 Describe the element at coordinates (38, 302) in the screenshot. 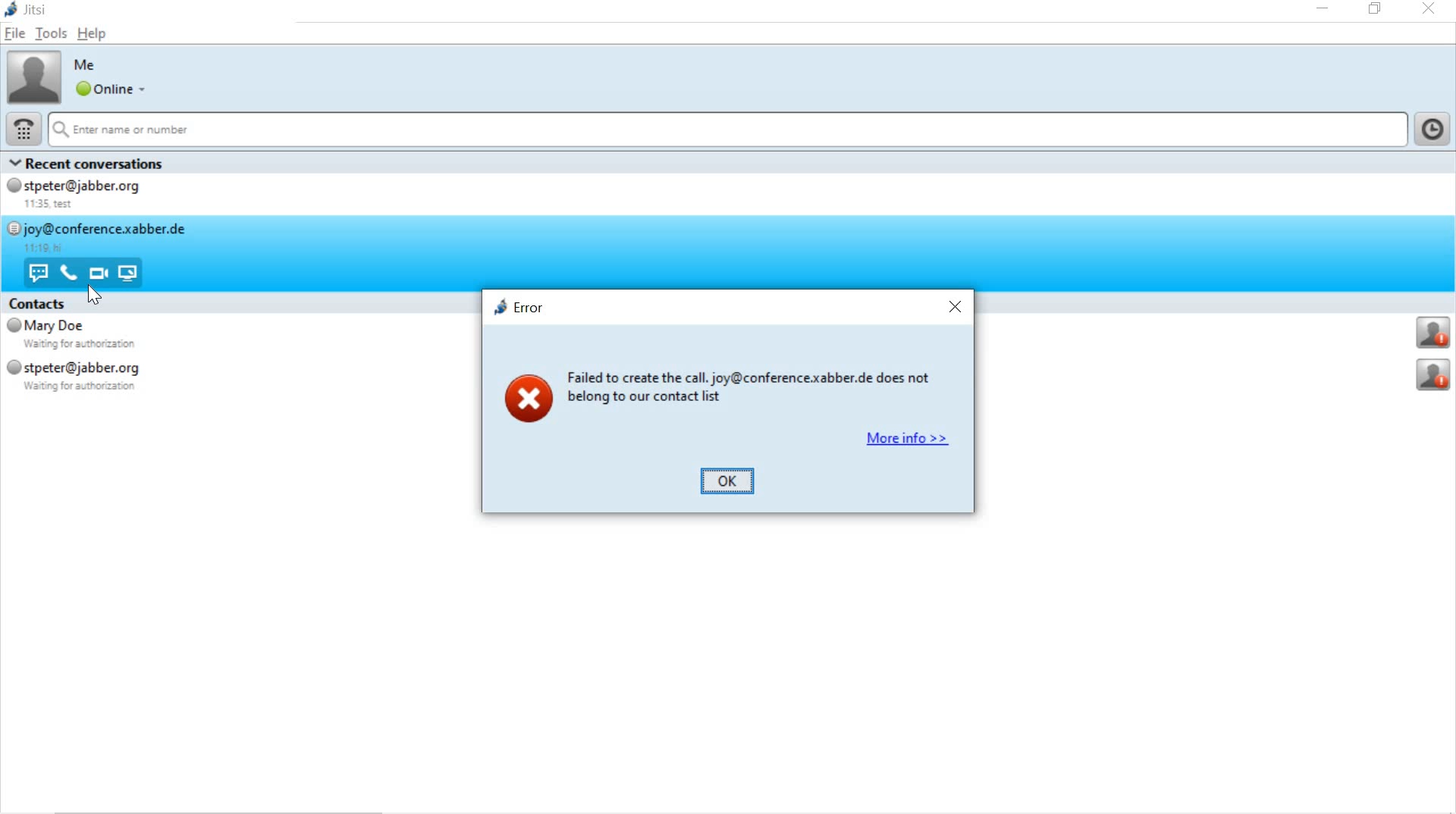

I see `Contacts` at that location.